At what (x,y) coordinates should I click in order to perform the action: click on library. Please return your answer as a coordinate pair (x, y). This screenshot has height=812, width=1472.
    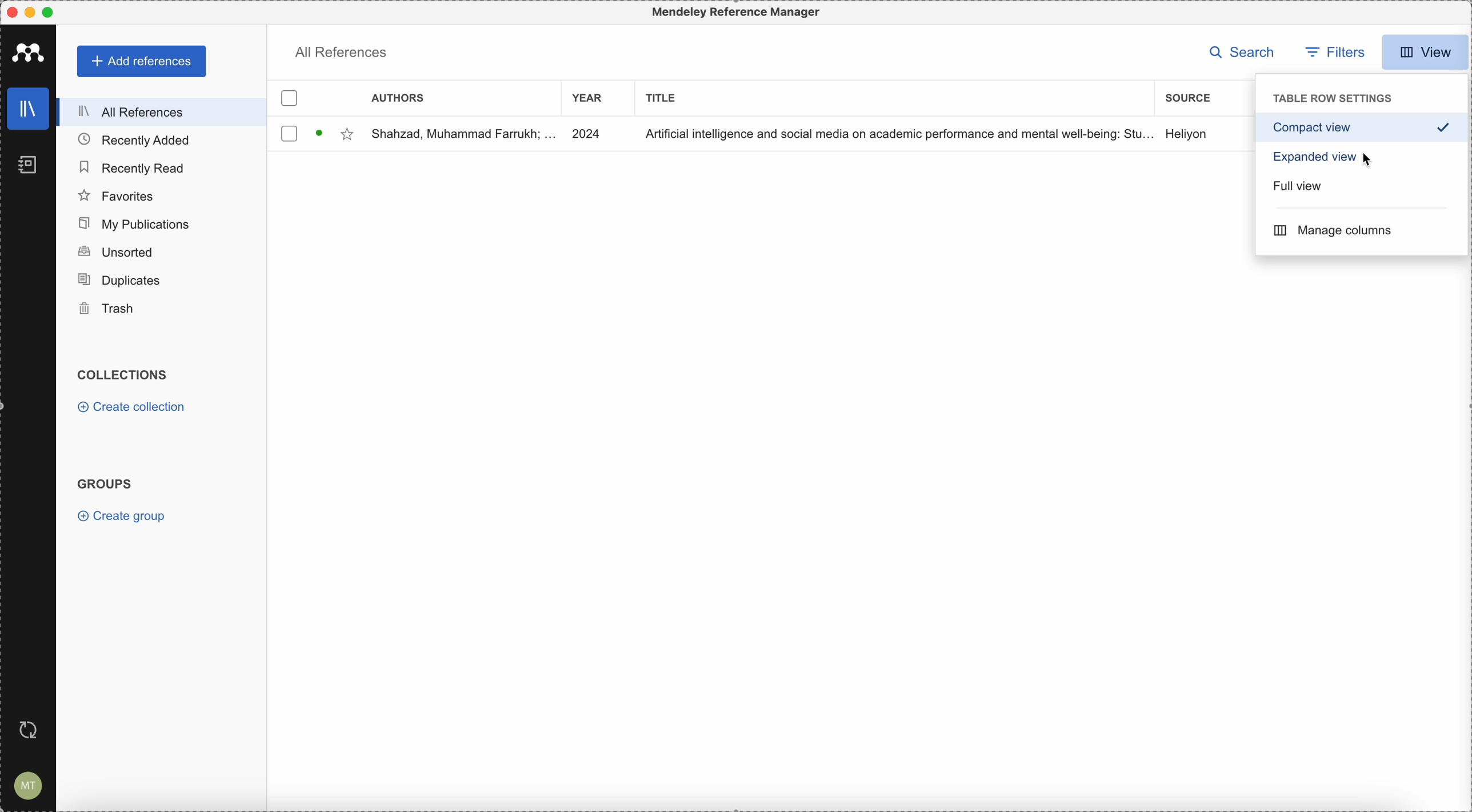
    Looking at the image, I should click on (29, 109).